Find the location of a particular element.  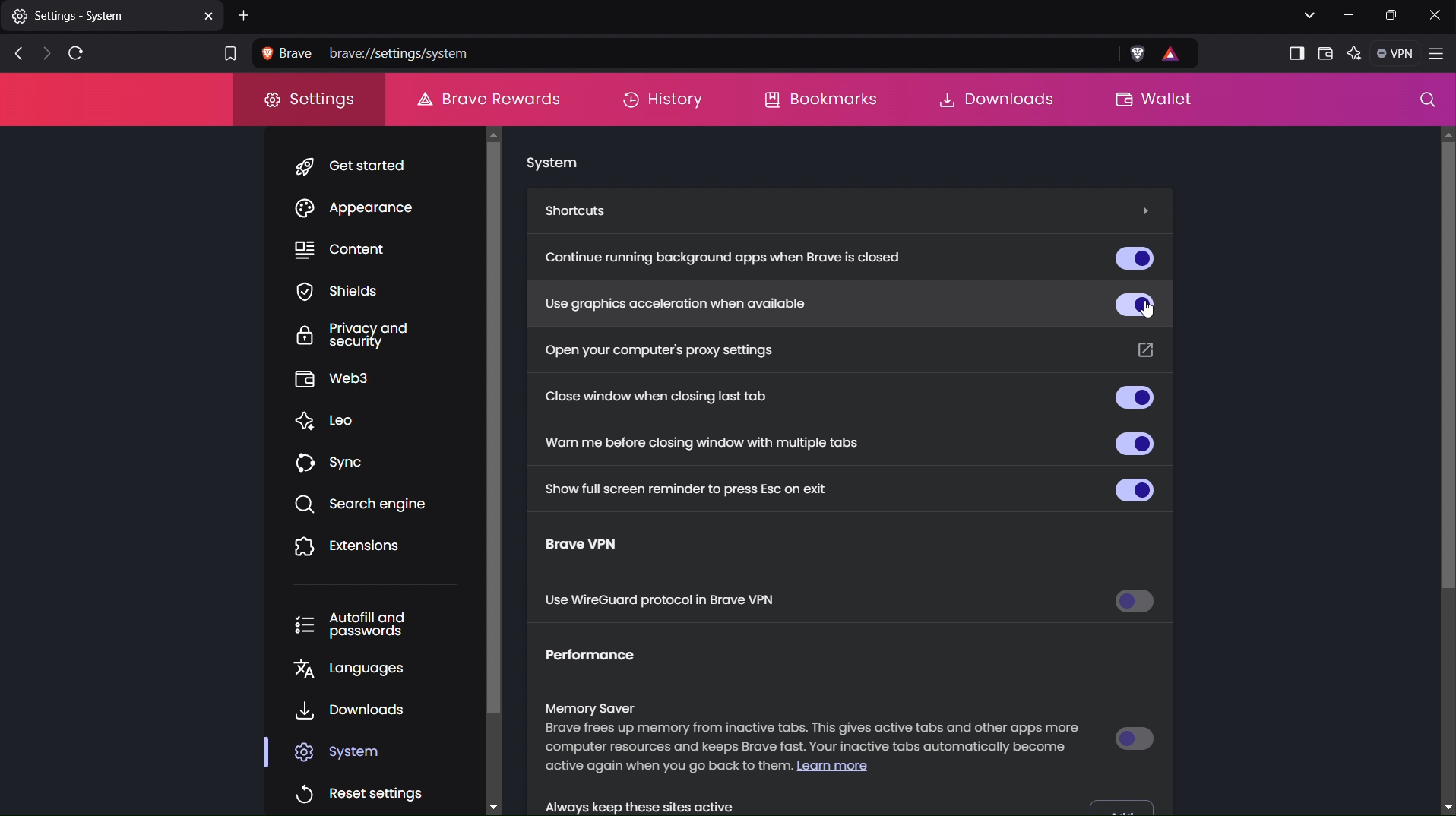

Wallet is located at coordinates (1324, 52).